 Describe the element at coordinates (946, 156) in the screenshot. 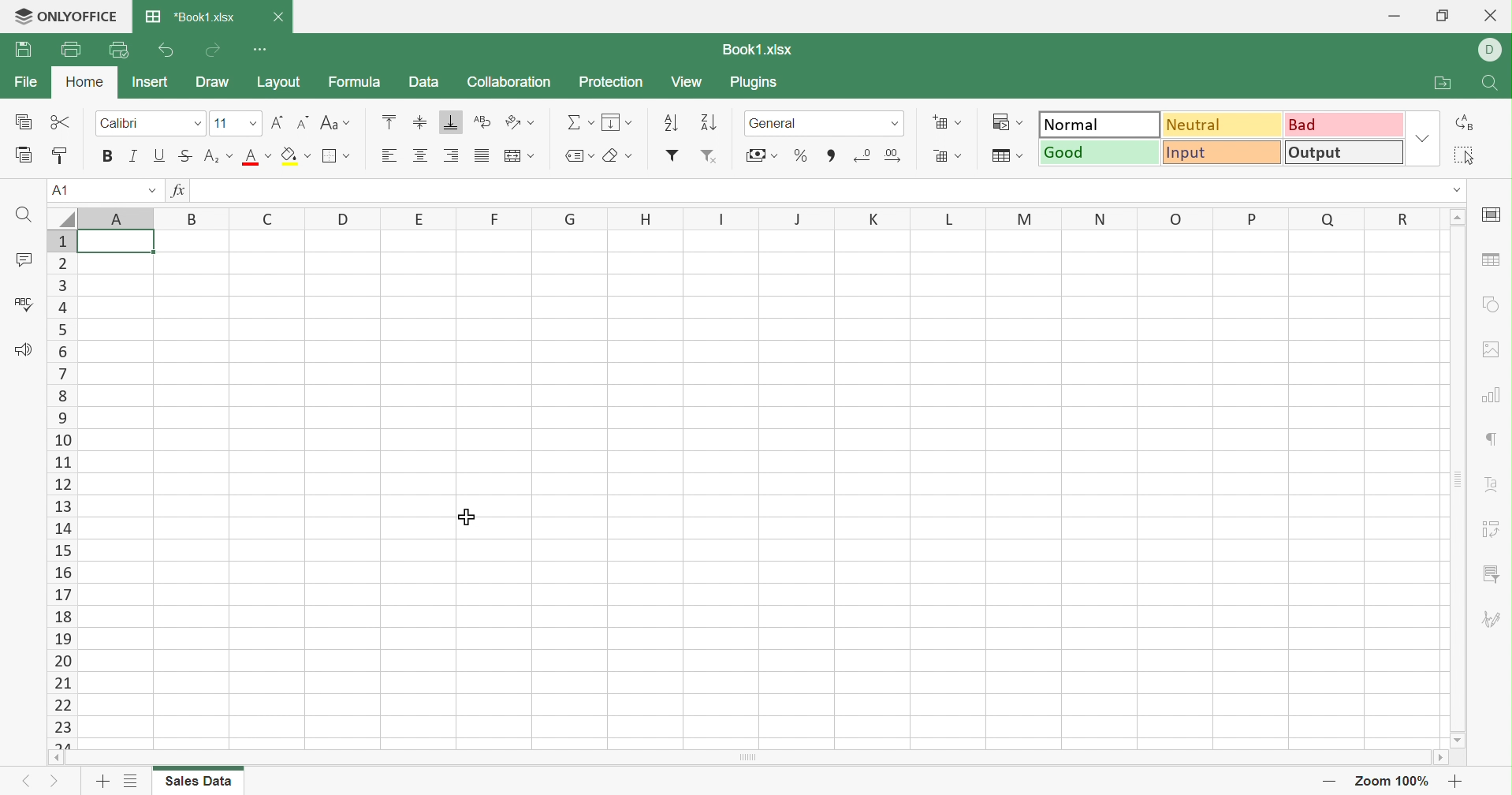

I see `Delete cells` at that location.